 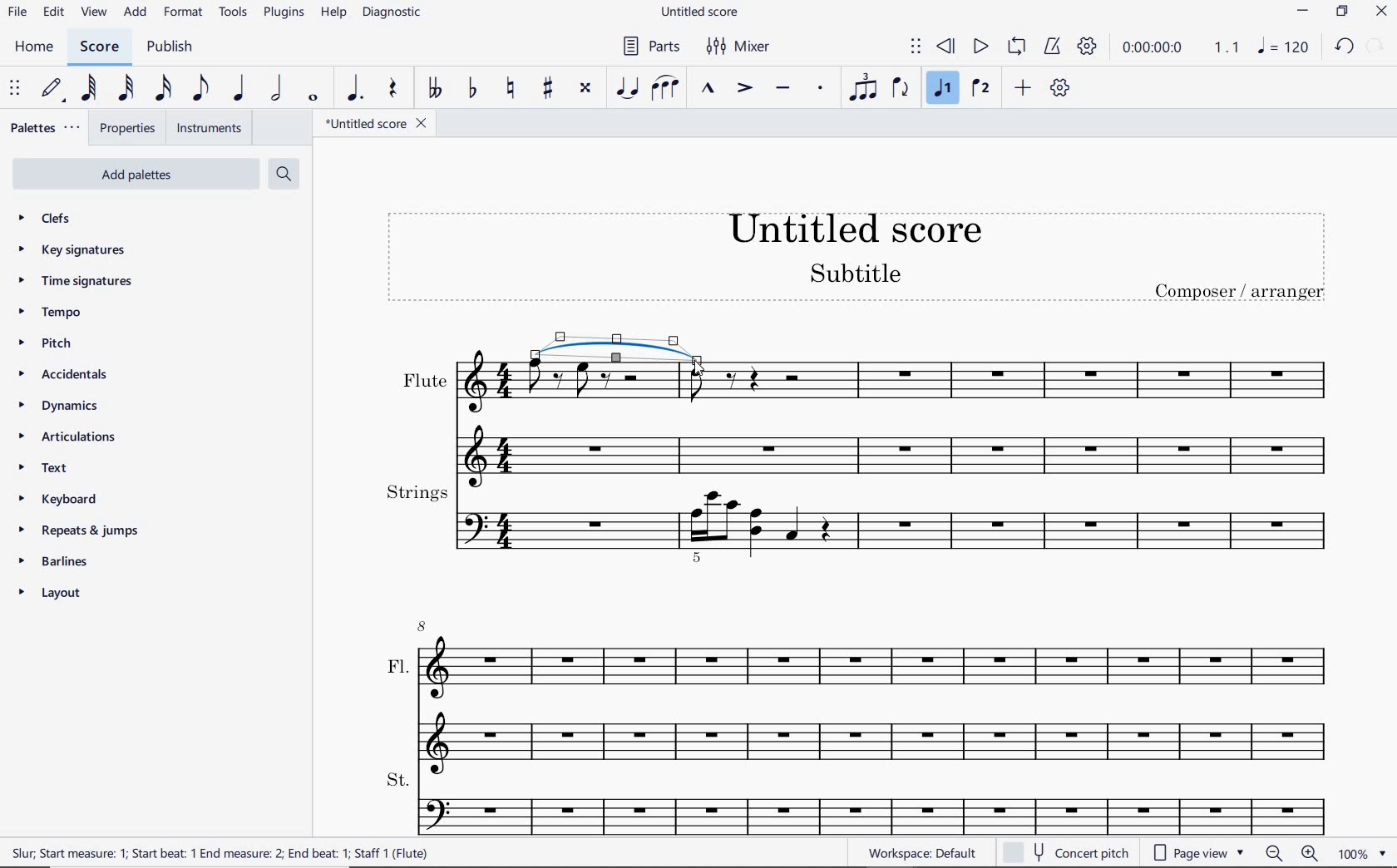 I want to click on SELECT TO MOVE, so click(x=13, y=86).